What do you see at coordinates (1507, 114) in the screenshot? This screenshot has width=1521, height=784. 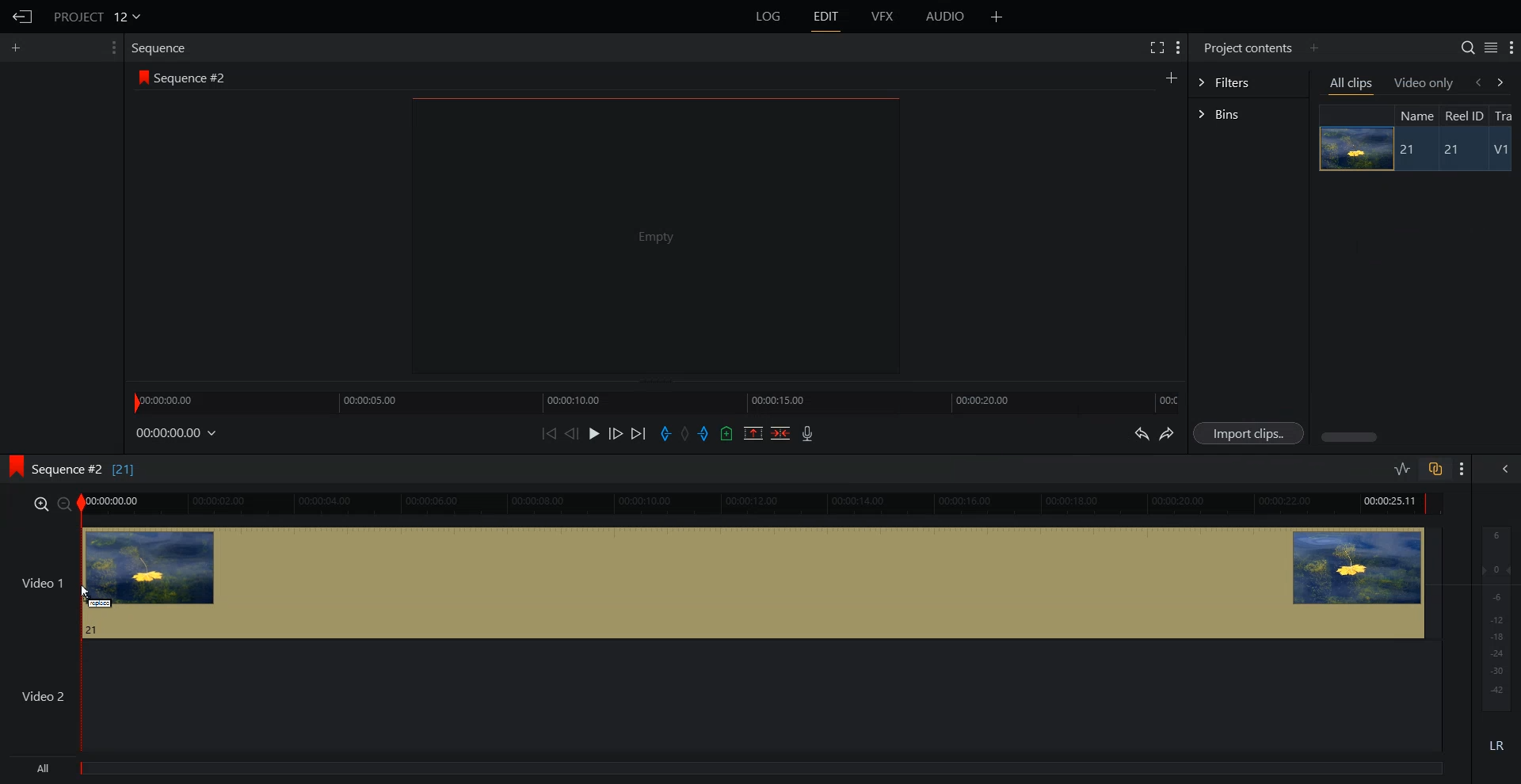 I see `Tra` at bounding box center [1507, 114].